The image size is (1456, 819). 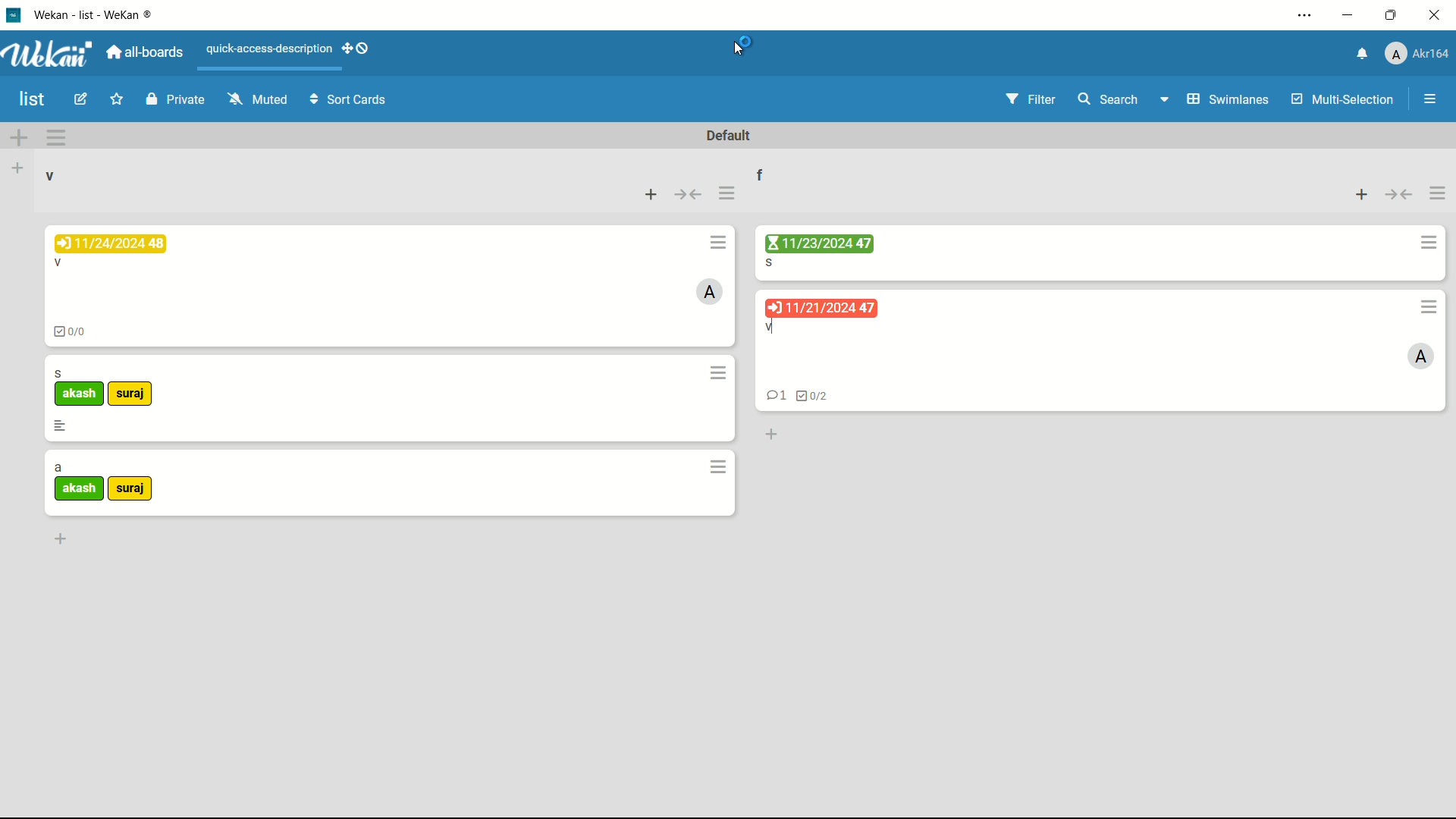 I want to click on due date, so click(x=111, y=243).